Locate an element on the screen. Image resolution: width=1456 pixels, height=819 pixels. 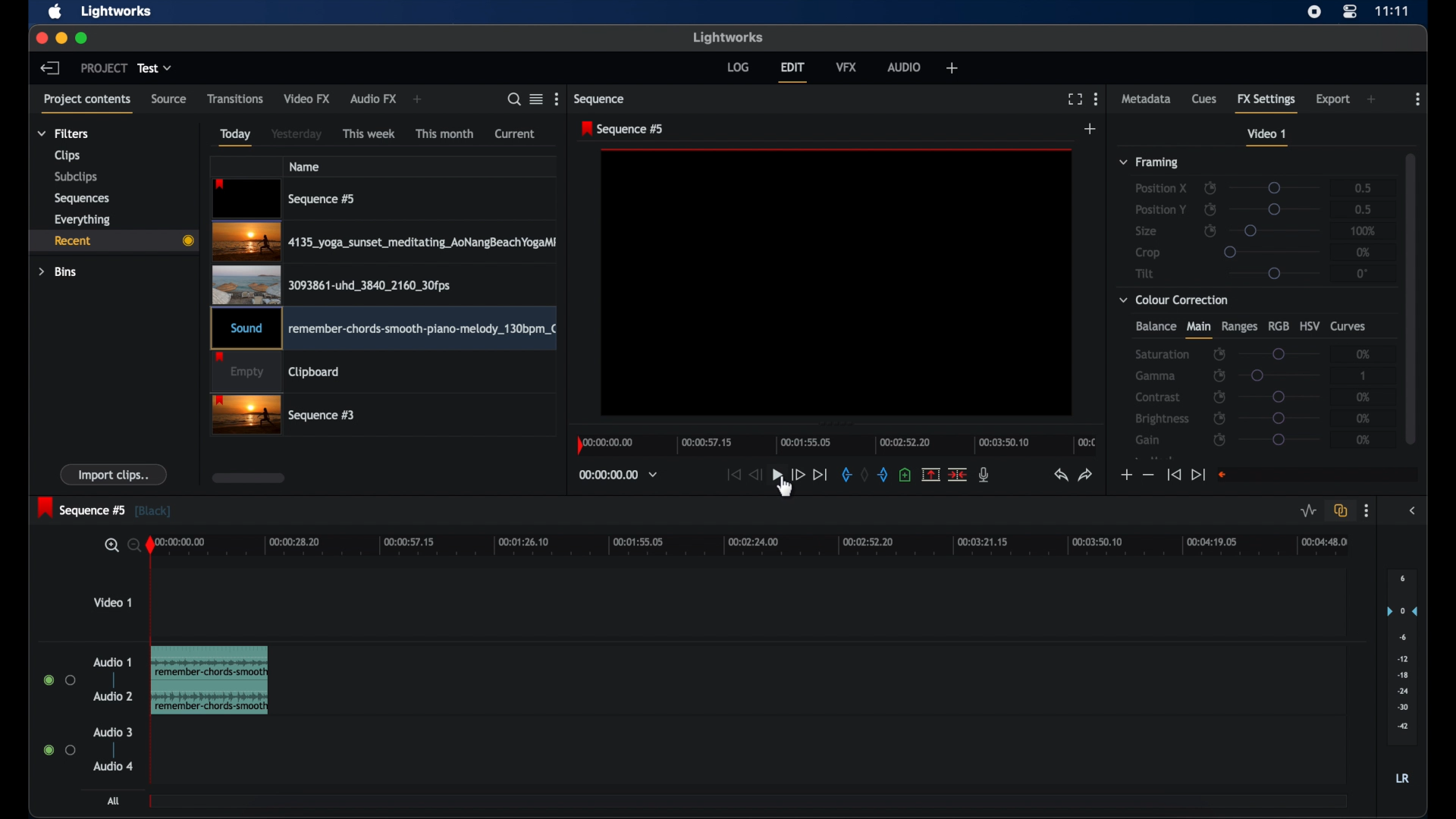
add is located at coordinates (1371, 99).